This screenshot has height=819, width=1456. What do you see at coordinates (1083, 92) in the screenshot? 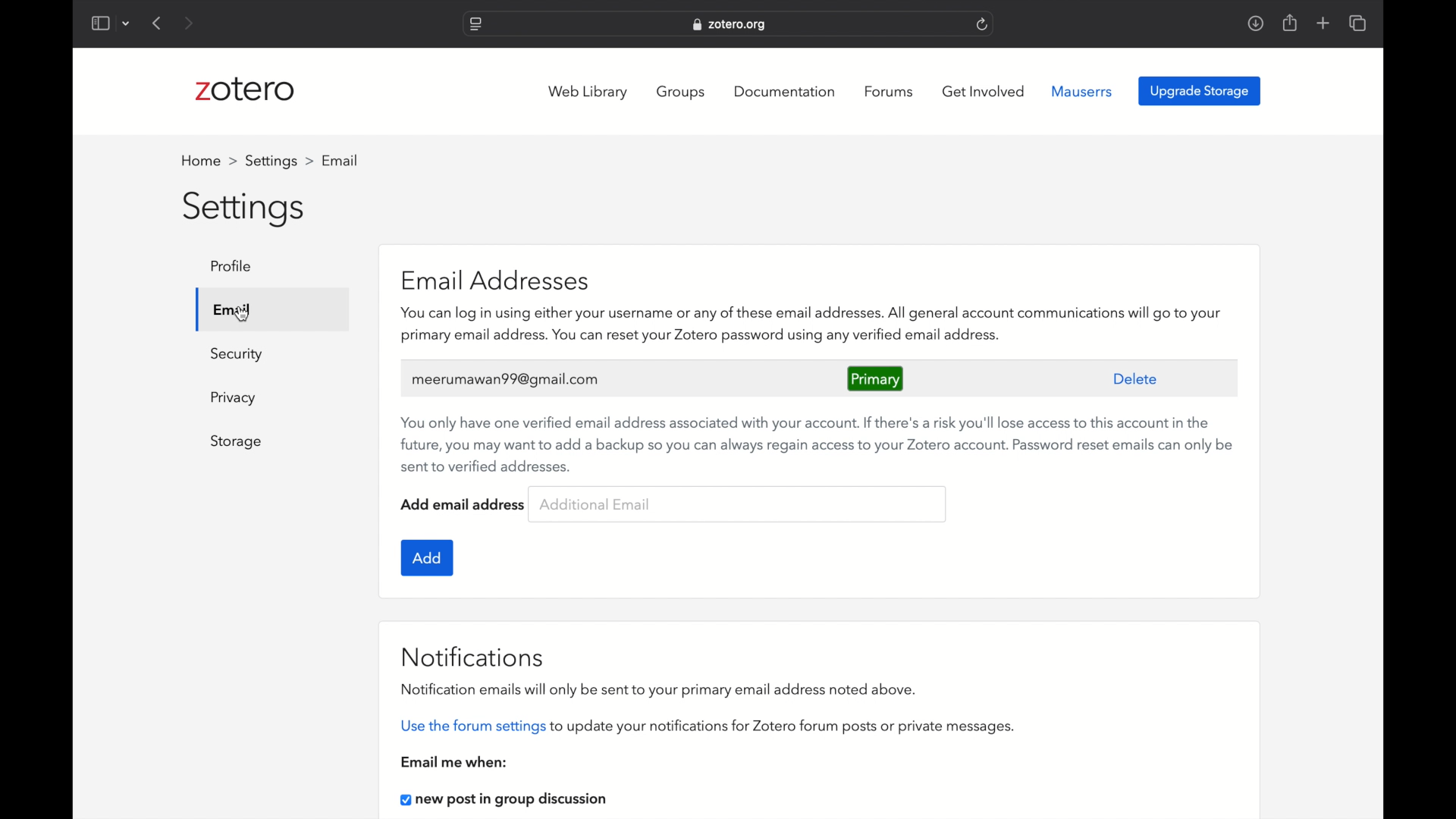
I see `mauserrs` at bounding box center [1083, 92].